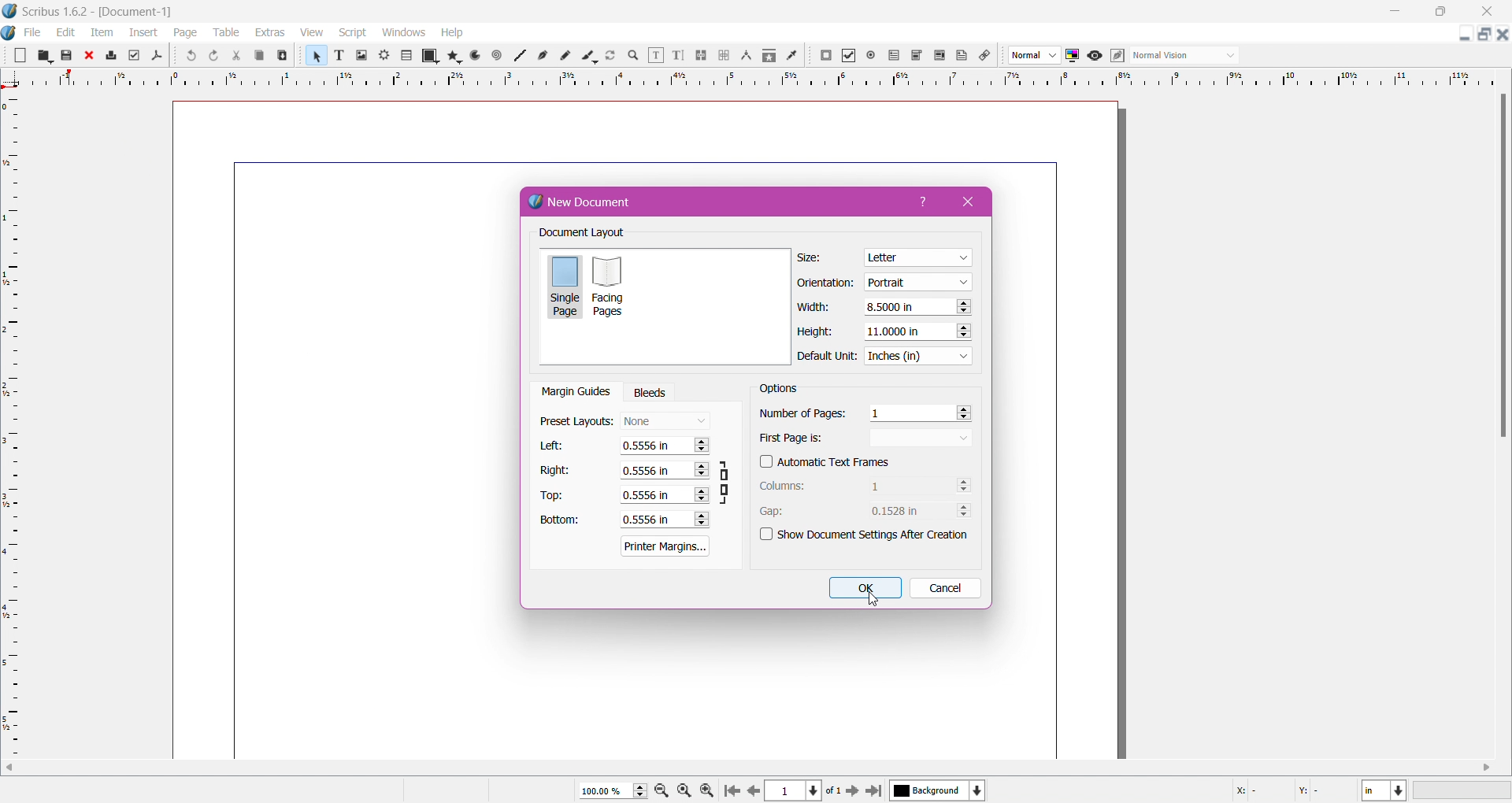 Image resolution: width=1512 pixels, height=803 pixels. I want to click on top, so click(561, 492).